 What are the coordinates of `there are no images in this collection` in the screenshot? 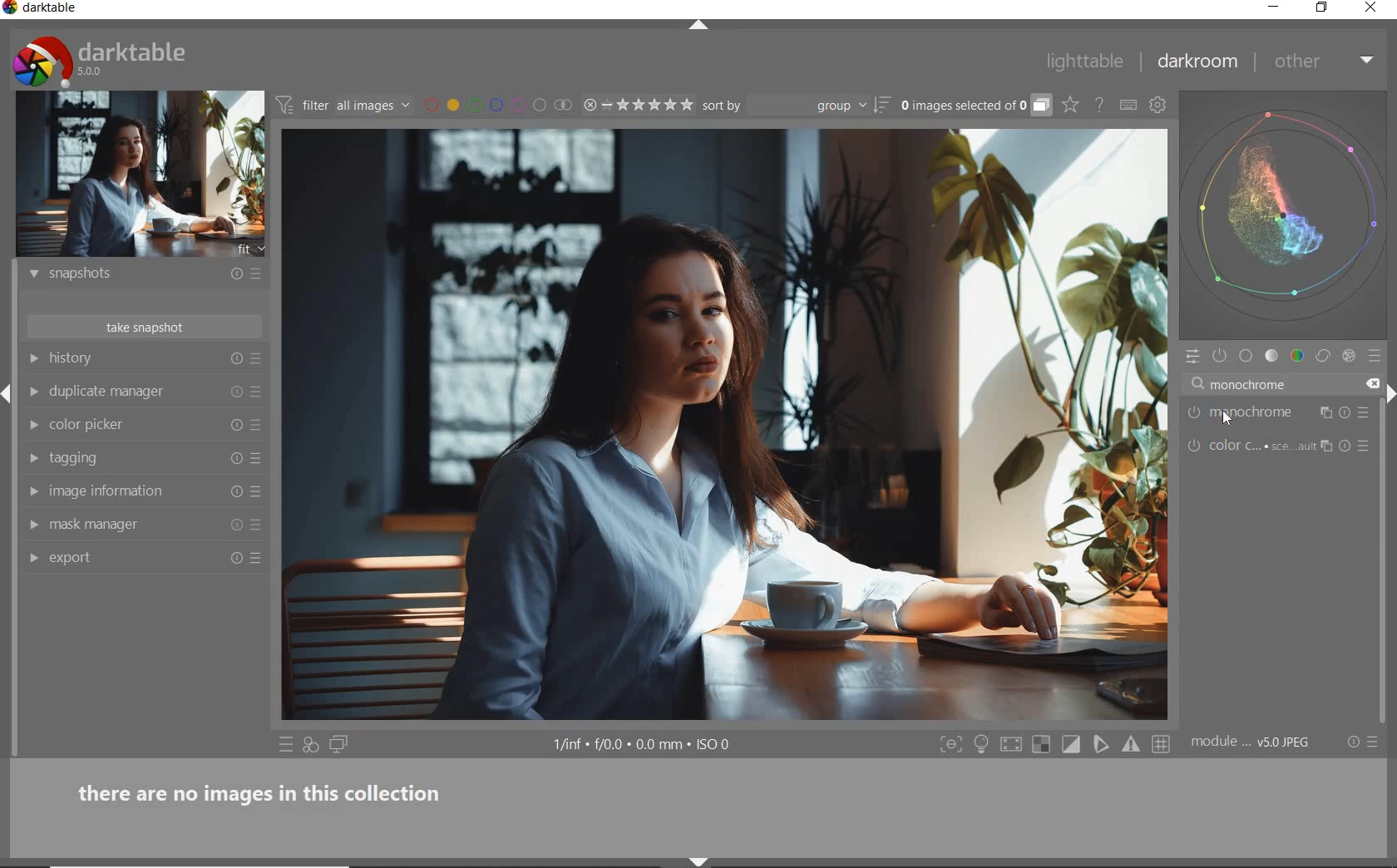 It's located at (269, 791).